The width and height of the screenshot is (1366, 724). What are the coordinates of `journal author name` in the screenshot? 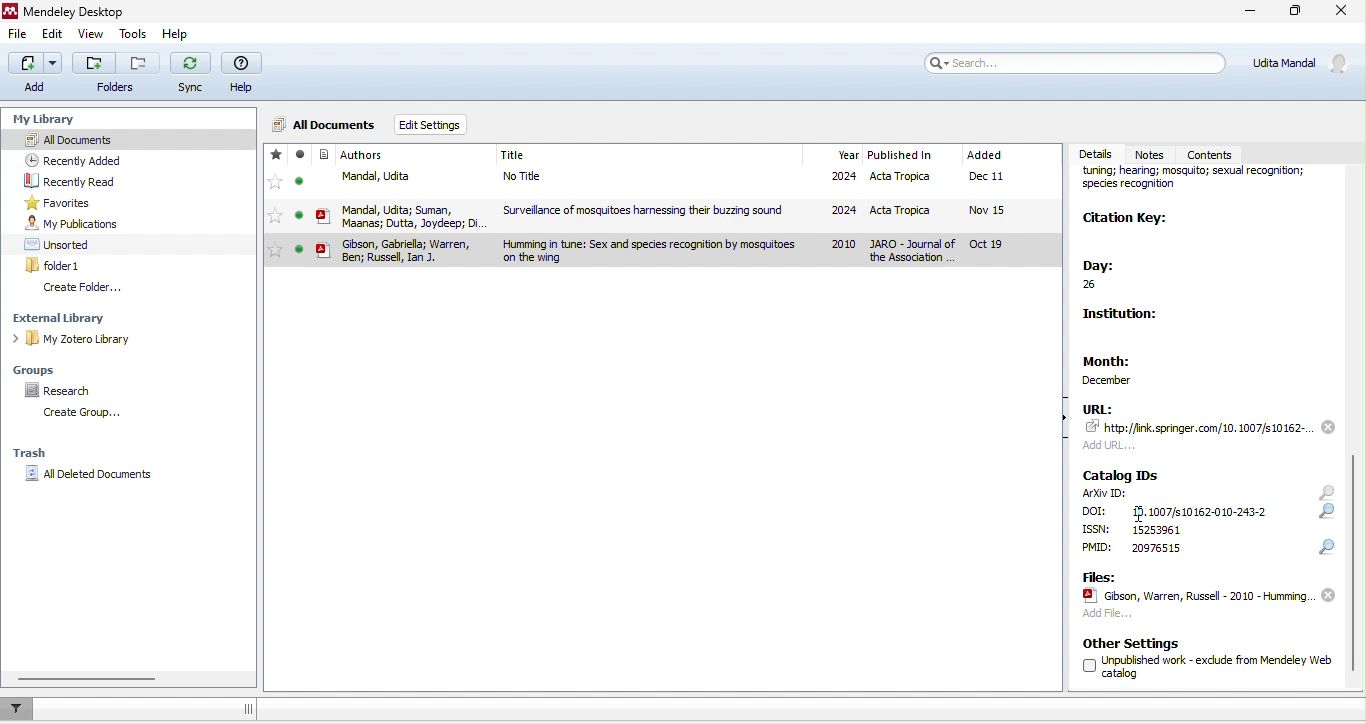 It's located at (363, 155).